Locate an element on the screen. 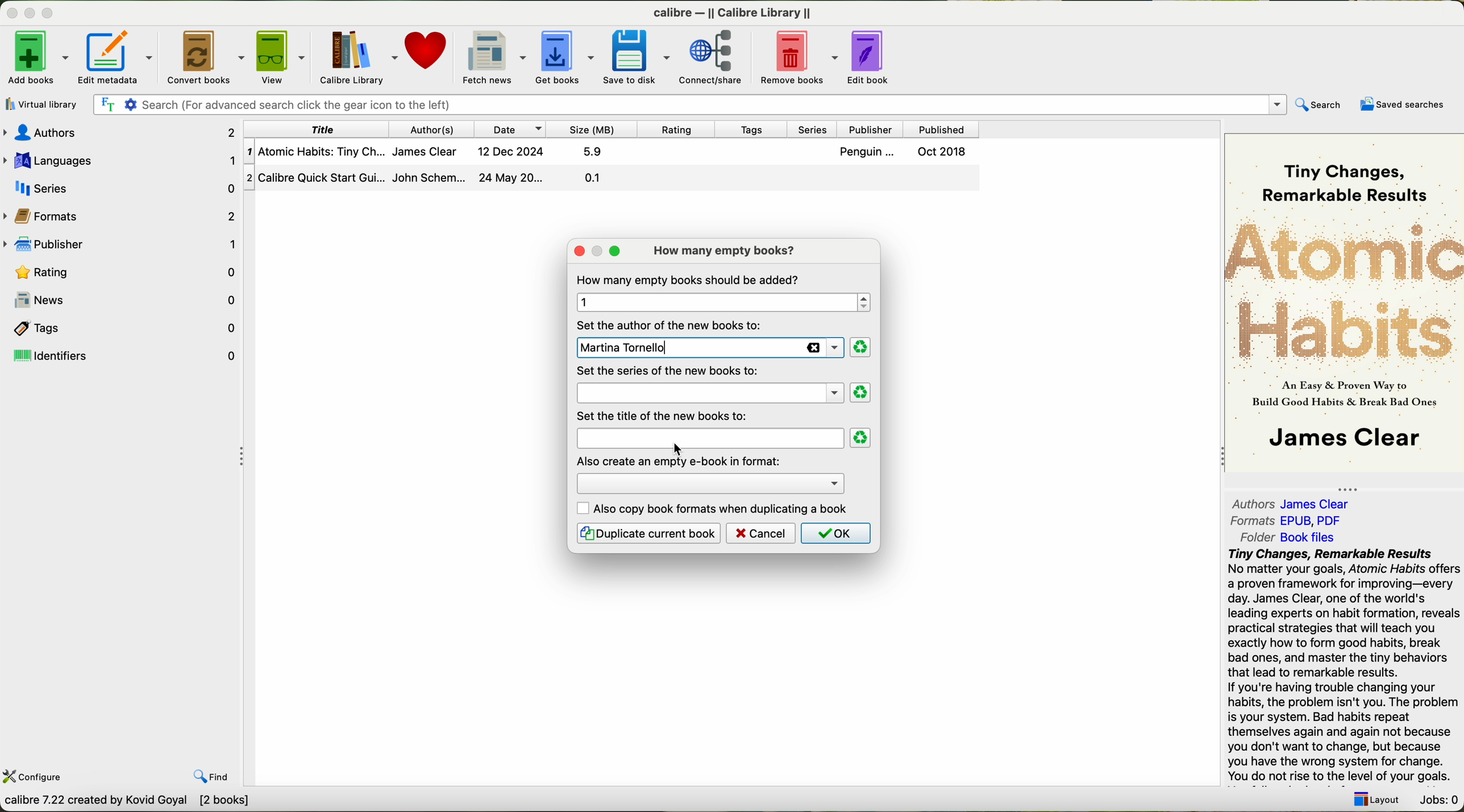 Image resolution: width=1464 pixels, height=812 pixels. authors is located at coordinates (1296, 503).